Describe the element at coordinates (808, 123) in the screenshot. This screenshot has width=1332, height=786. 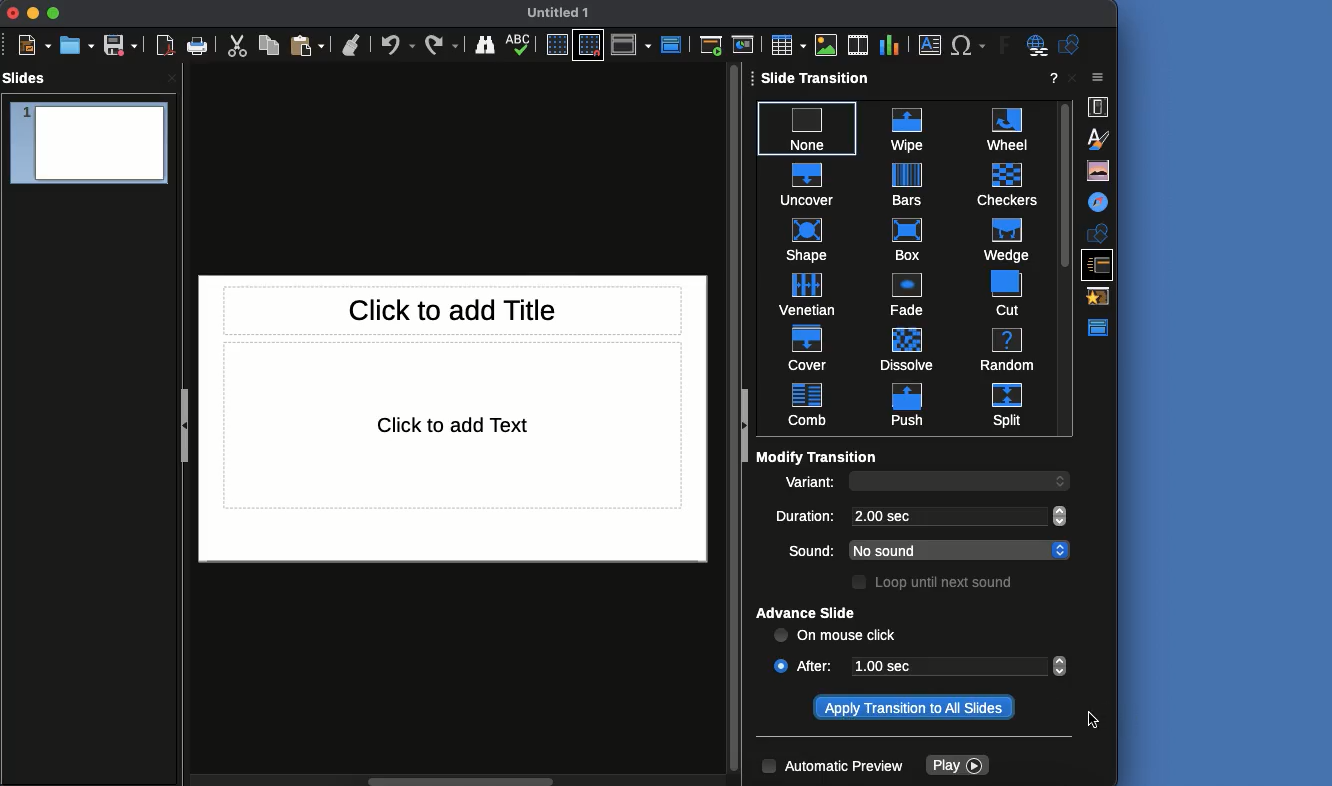
I see `none` at that location.